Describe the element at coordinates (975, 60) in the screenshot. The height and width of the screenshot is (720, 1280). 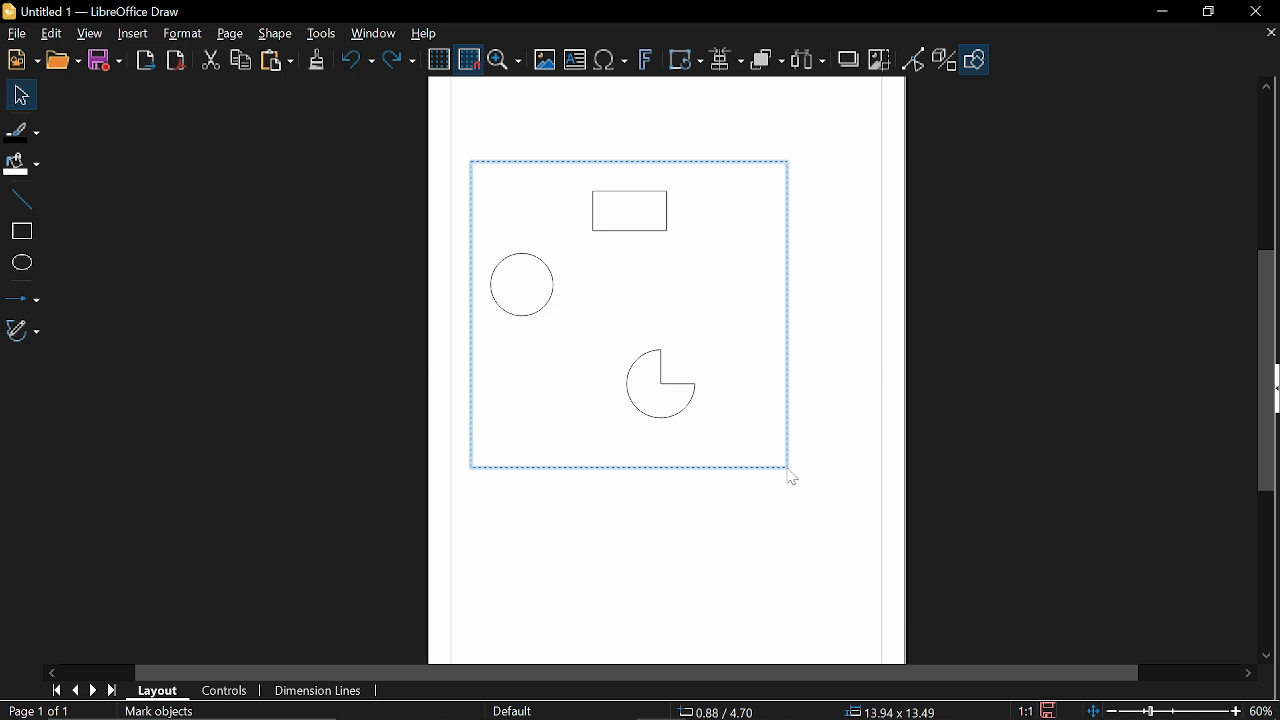
I see `Shapes` at that location.